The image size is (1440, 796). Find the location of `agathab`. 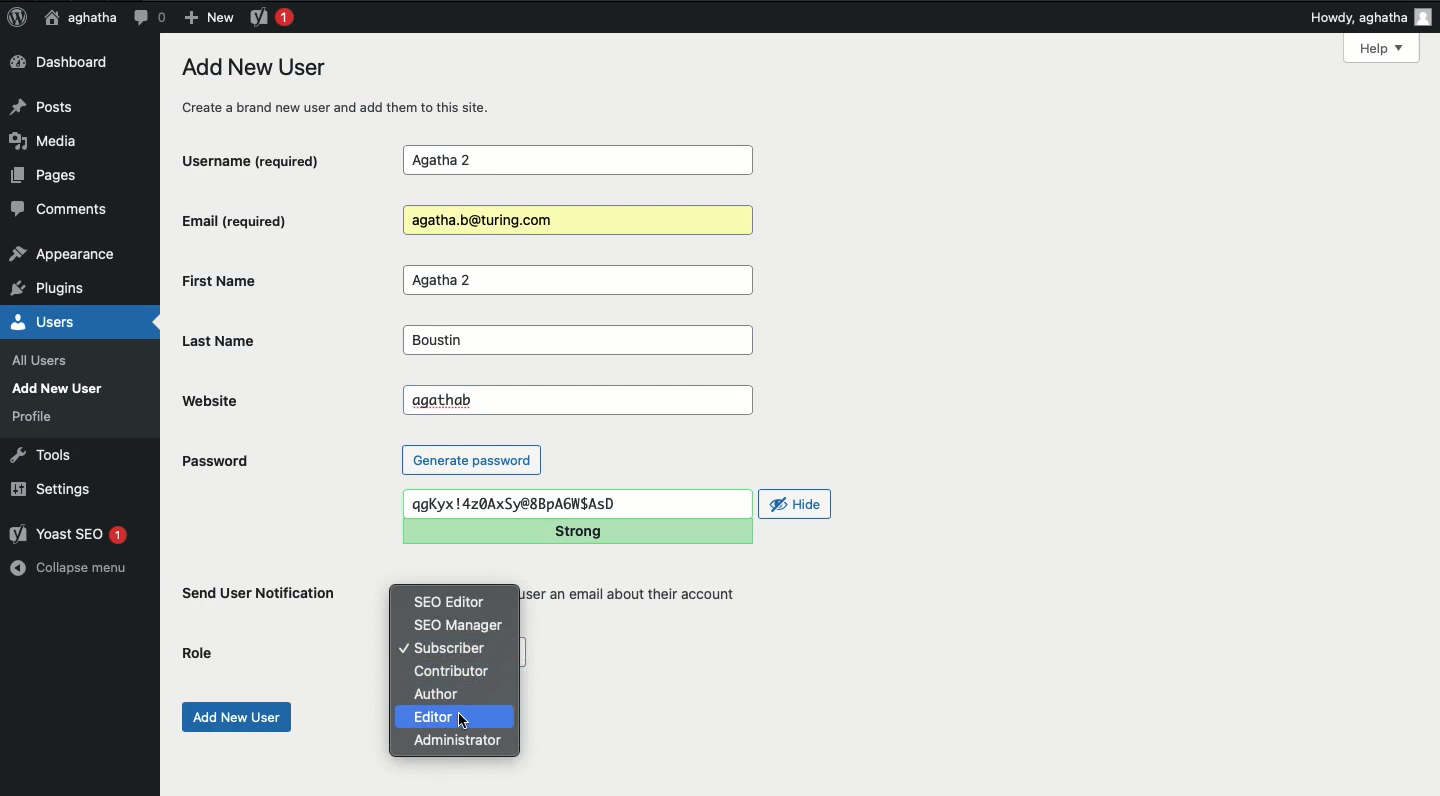

agathab is located at coordinates (579, 400).